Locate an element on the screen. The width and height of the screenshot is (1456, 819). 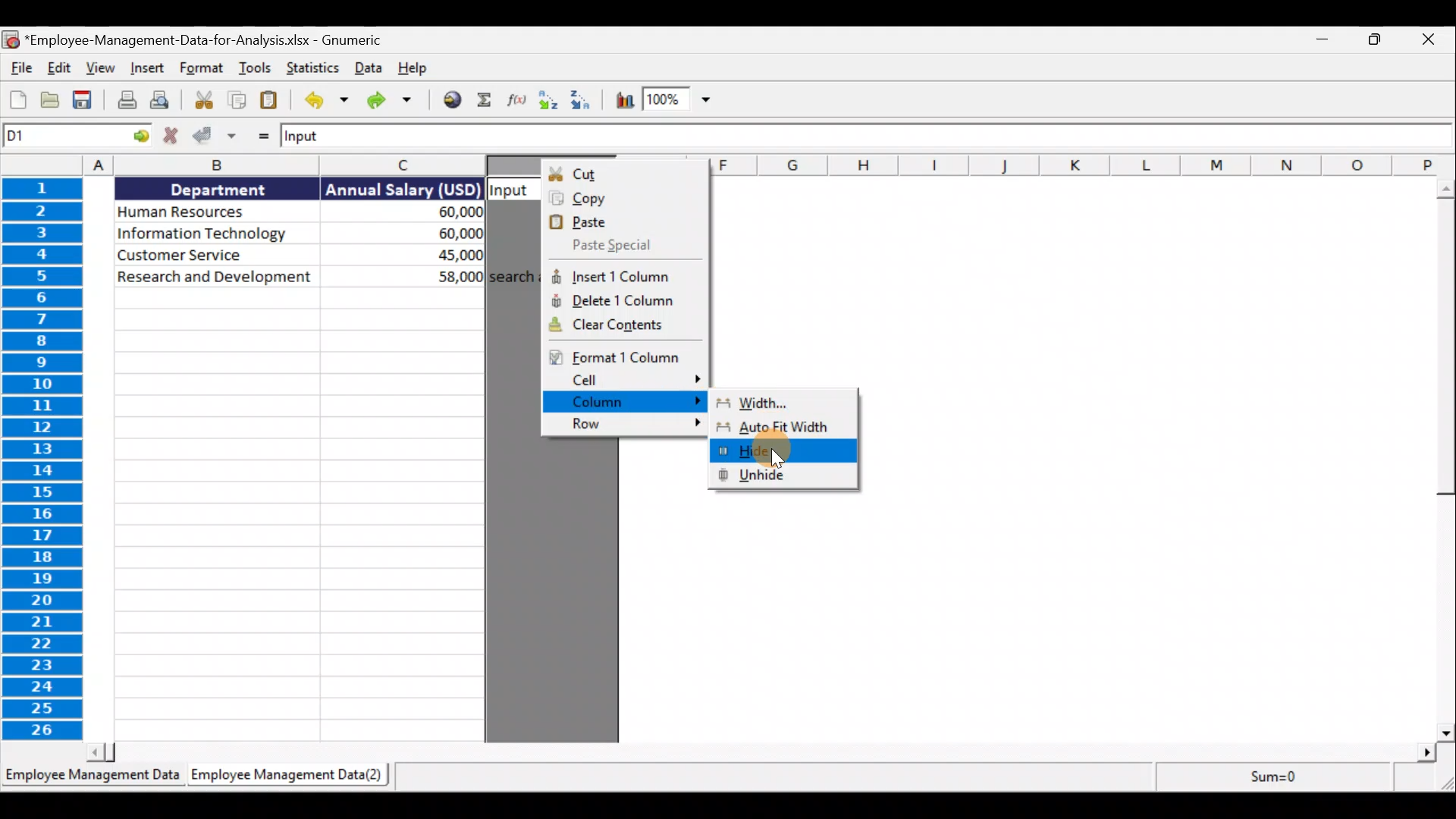
Print the current file is located at coordinates (124, 102).